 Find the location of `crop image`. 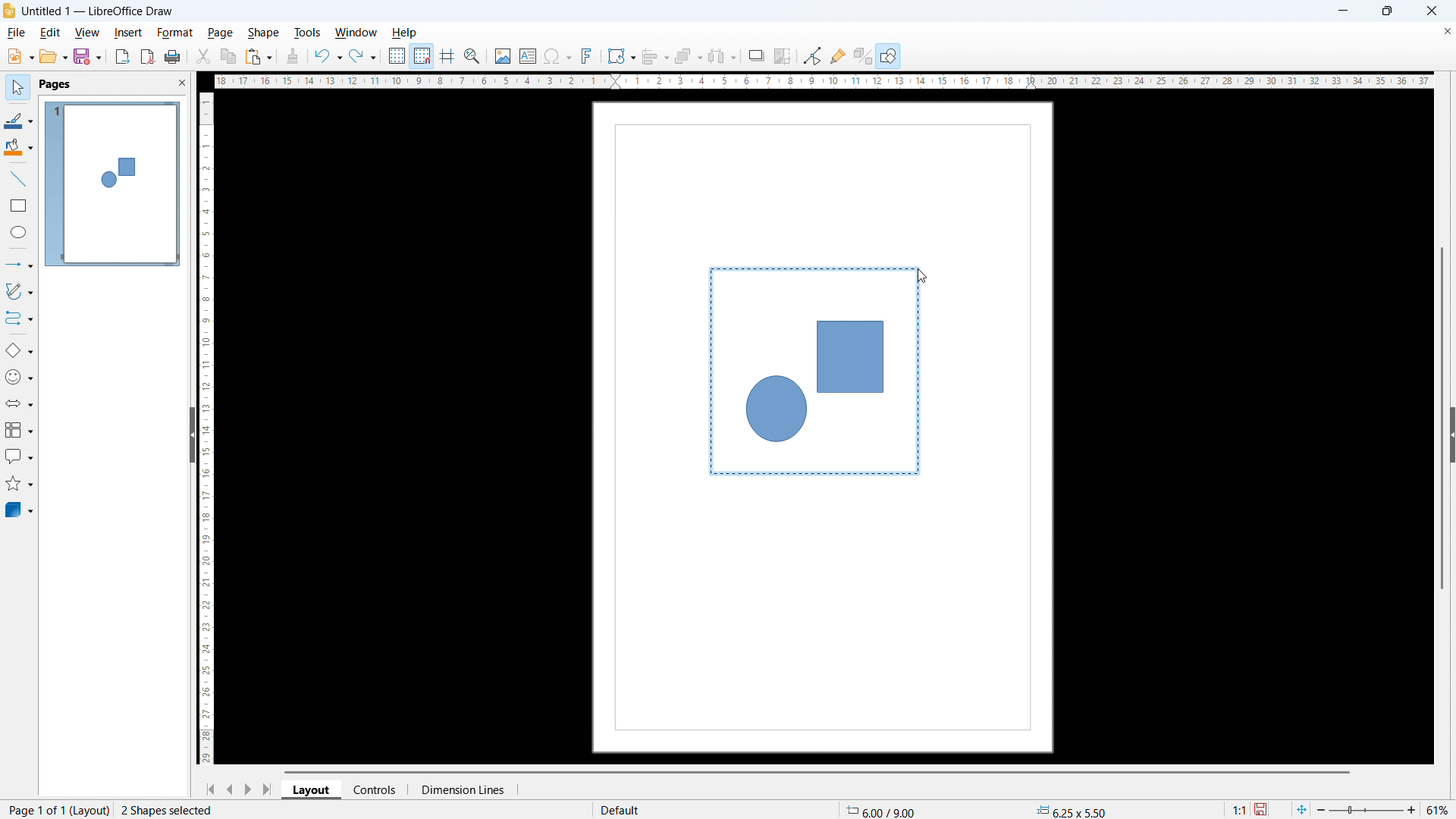

crop image is located at coordinates (784, 55).